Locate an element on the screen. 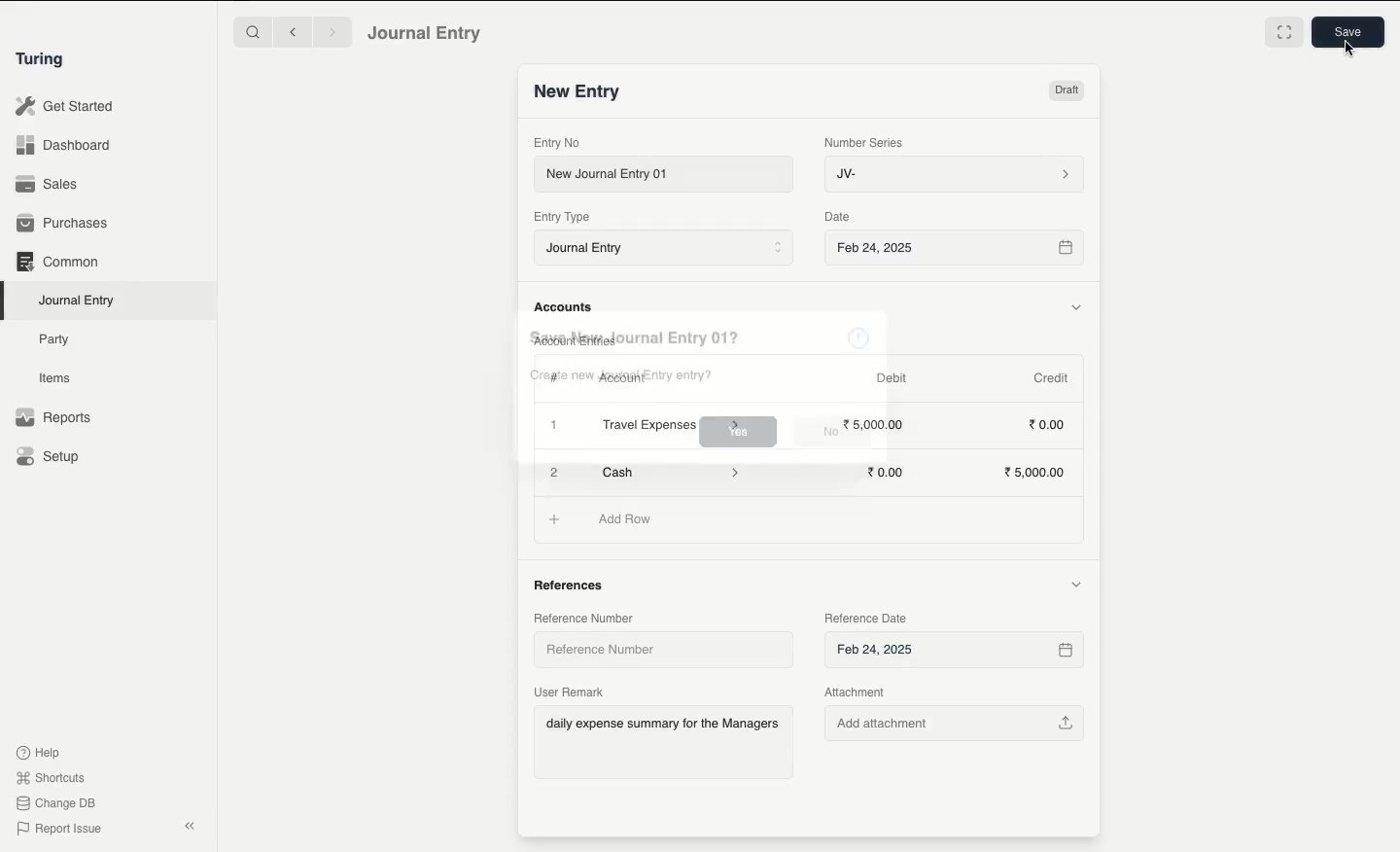 This screenshot has width=1400, height=852. Attachment is located at coordinates (864, 692).